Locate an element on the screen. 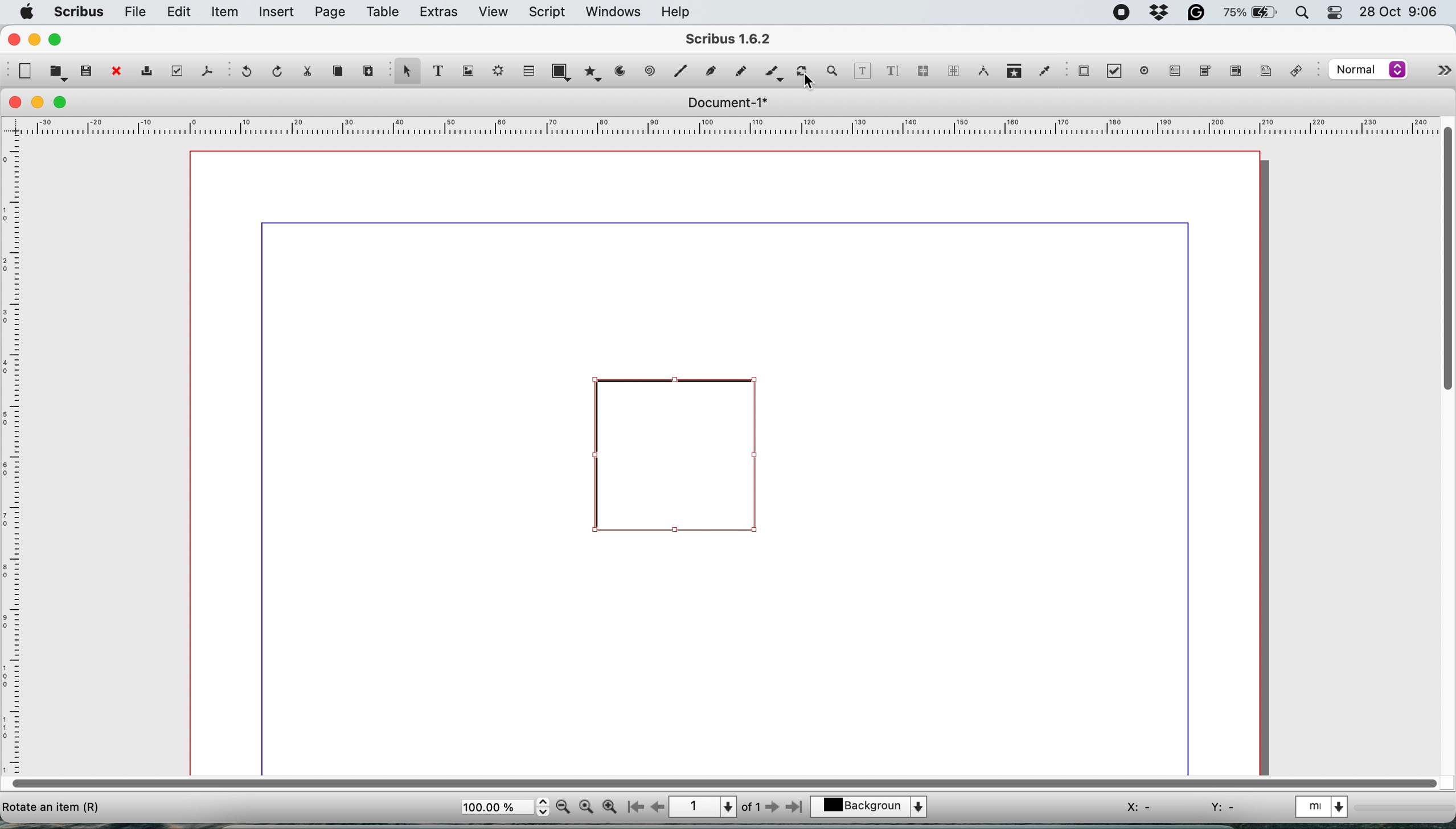 The width and height of the screenshot is (1456, 829). Rotate an item (R) is located at coordinates (53, 812).